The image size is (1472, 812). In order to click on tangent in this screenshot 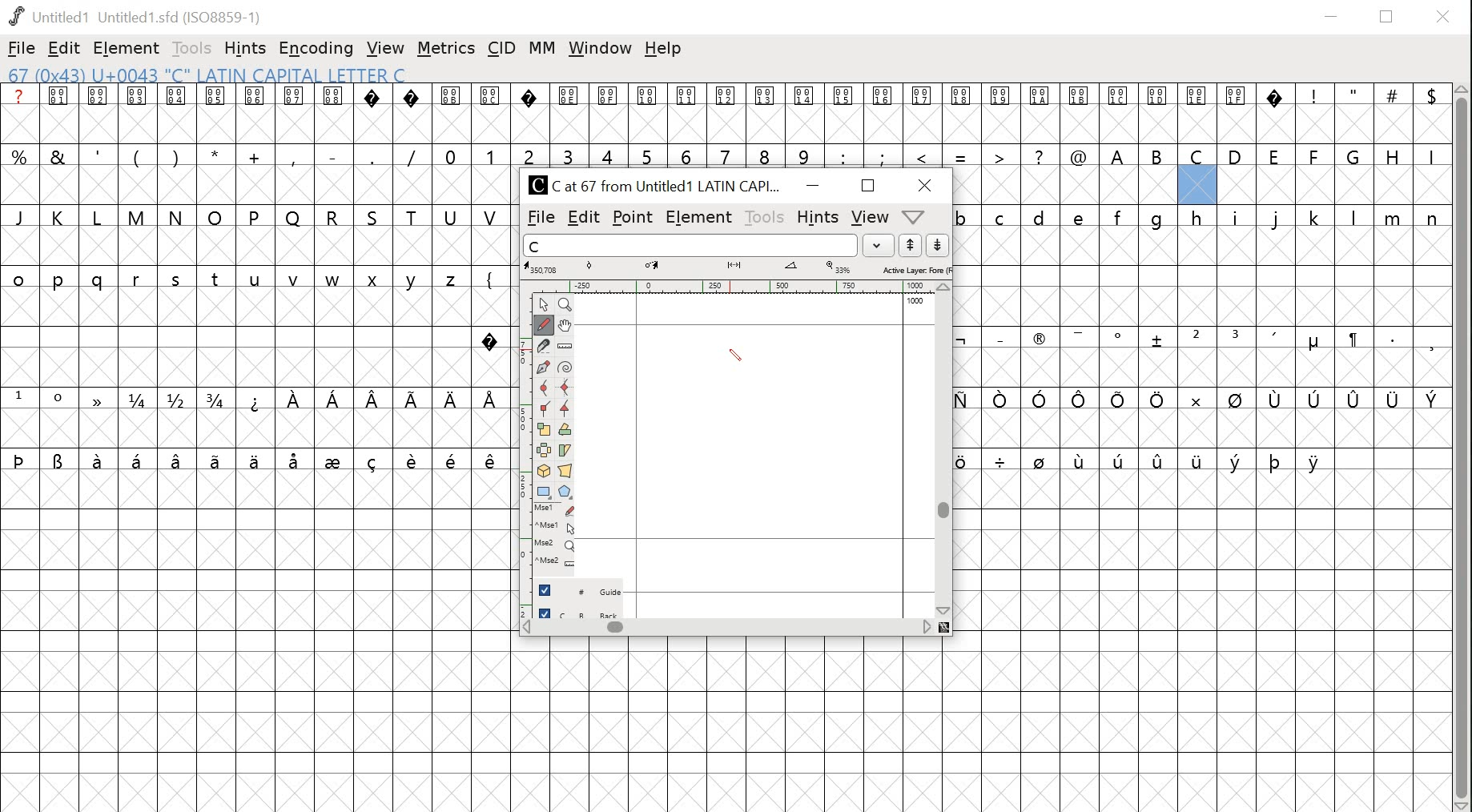, I will do `click(566, 411)`.